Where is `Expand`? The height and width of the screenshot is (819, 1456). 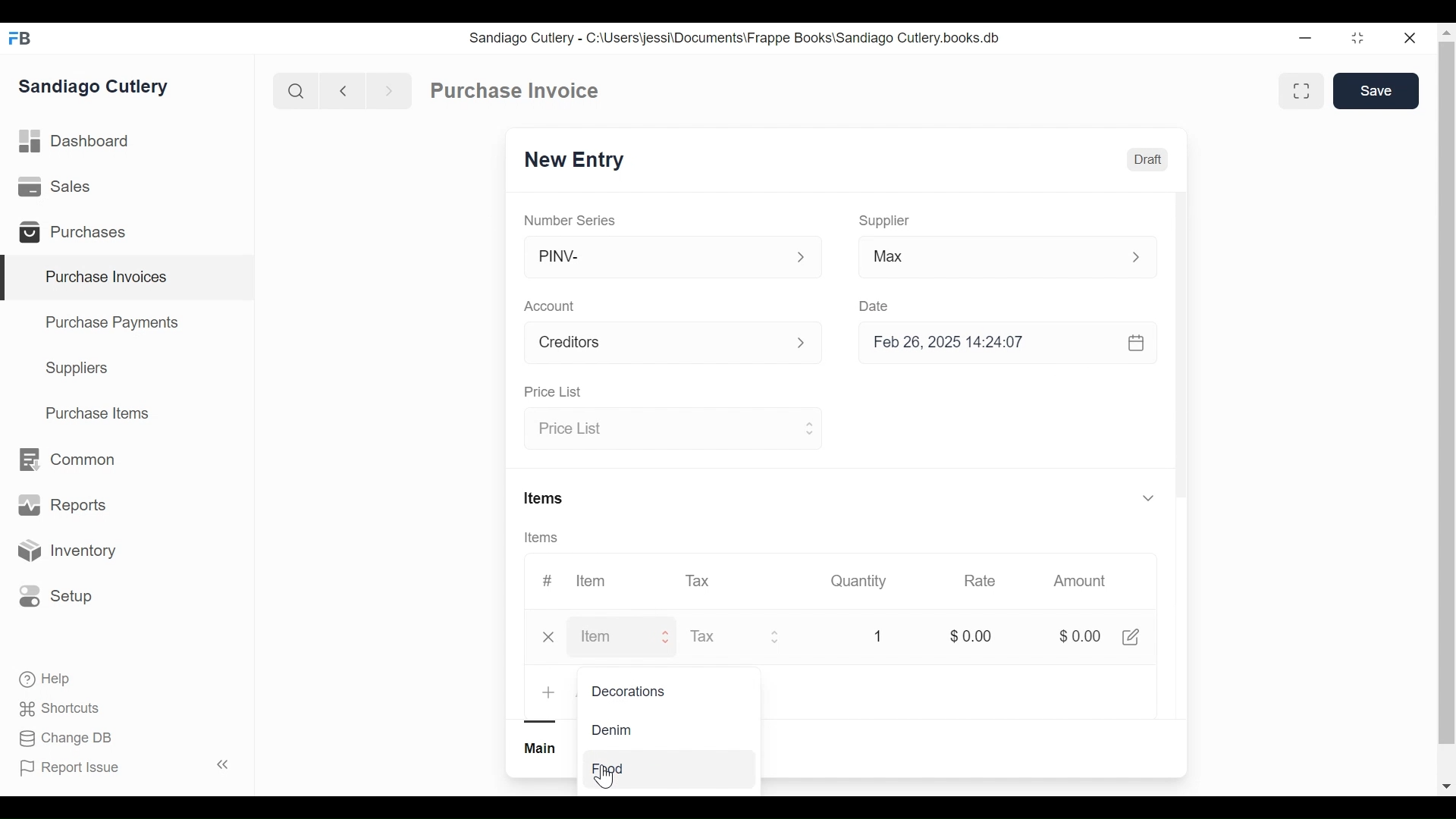
Expand is located at coordinates (1150, 497).